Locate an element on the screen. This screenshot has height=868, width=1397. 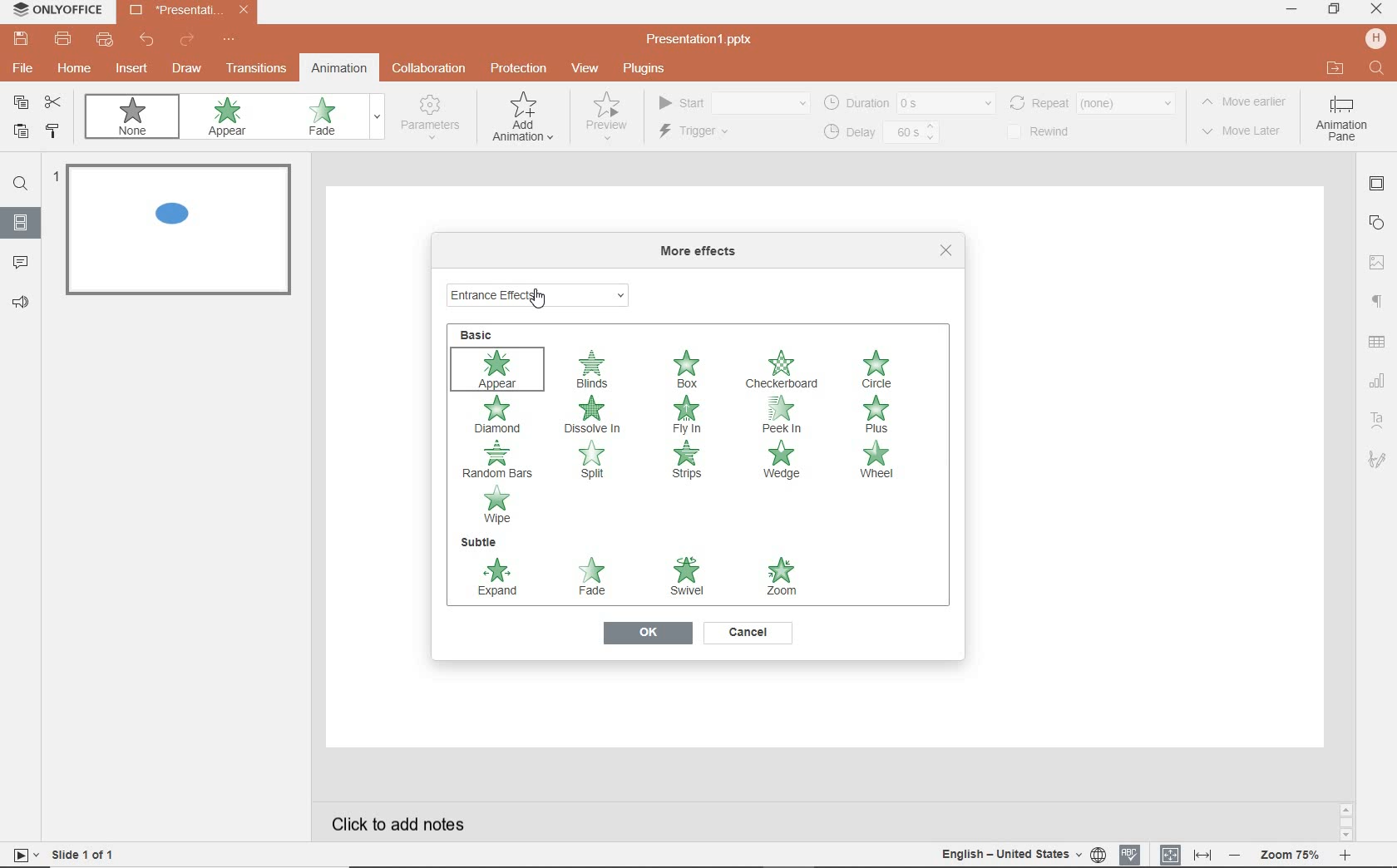
DISSOLVE IN is located at coordinates (594, 414).